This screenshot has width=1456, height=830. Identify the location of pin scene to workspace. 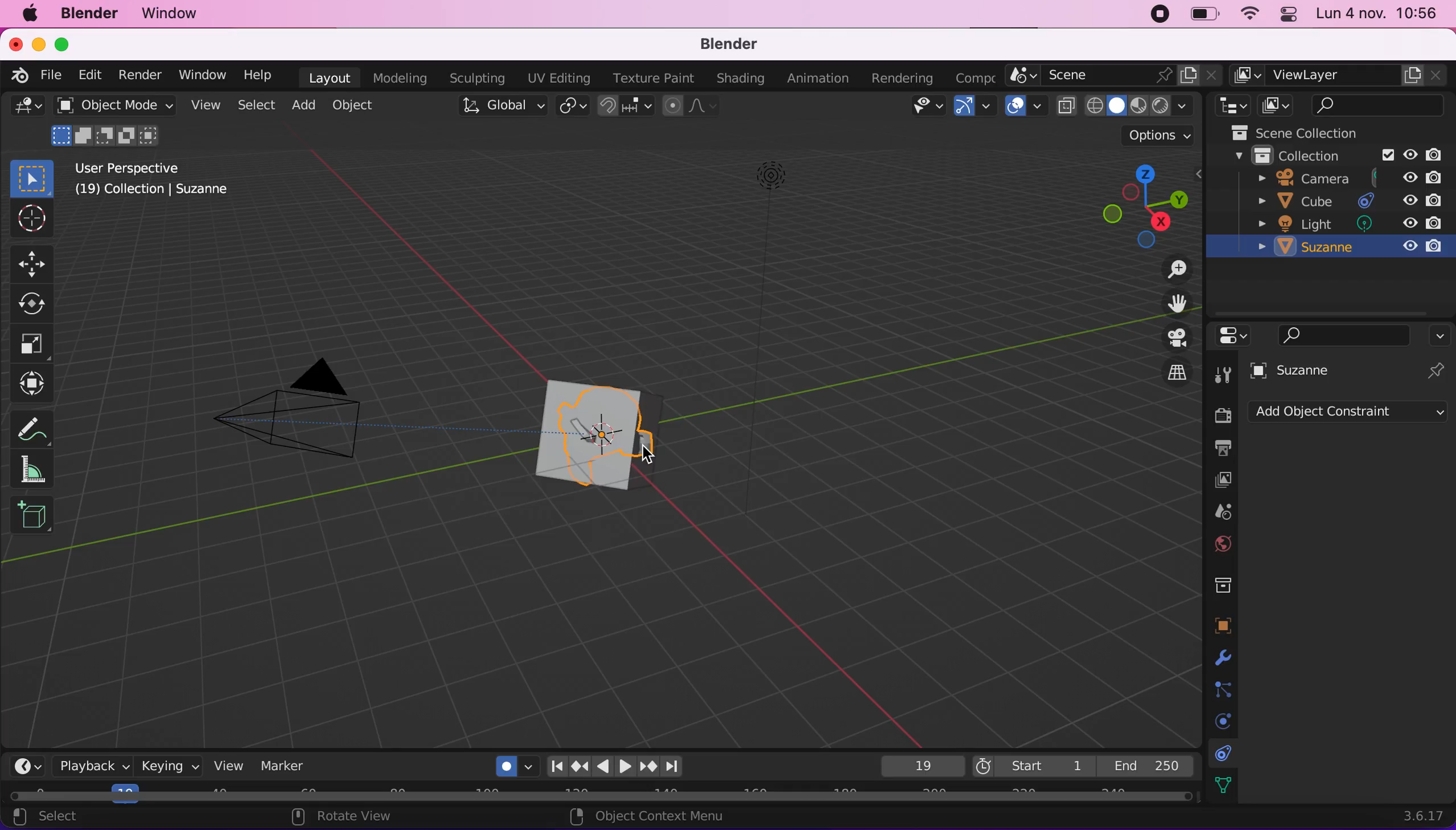
(1165, 78).